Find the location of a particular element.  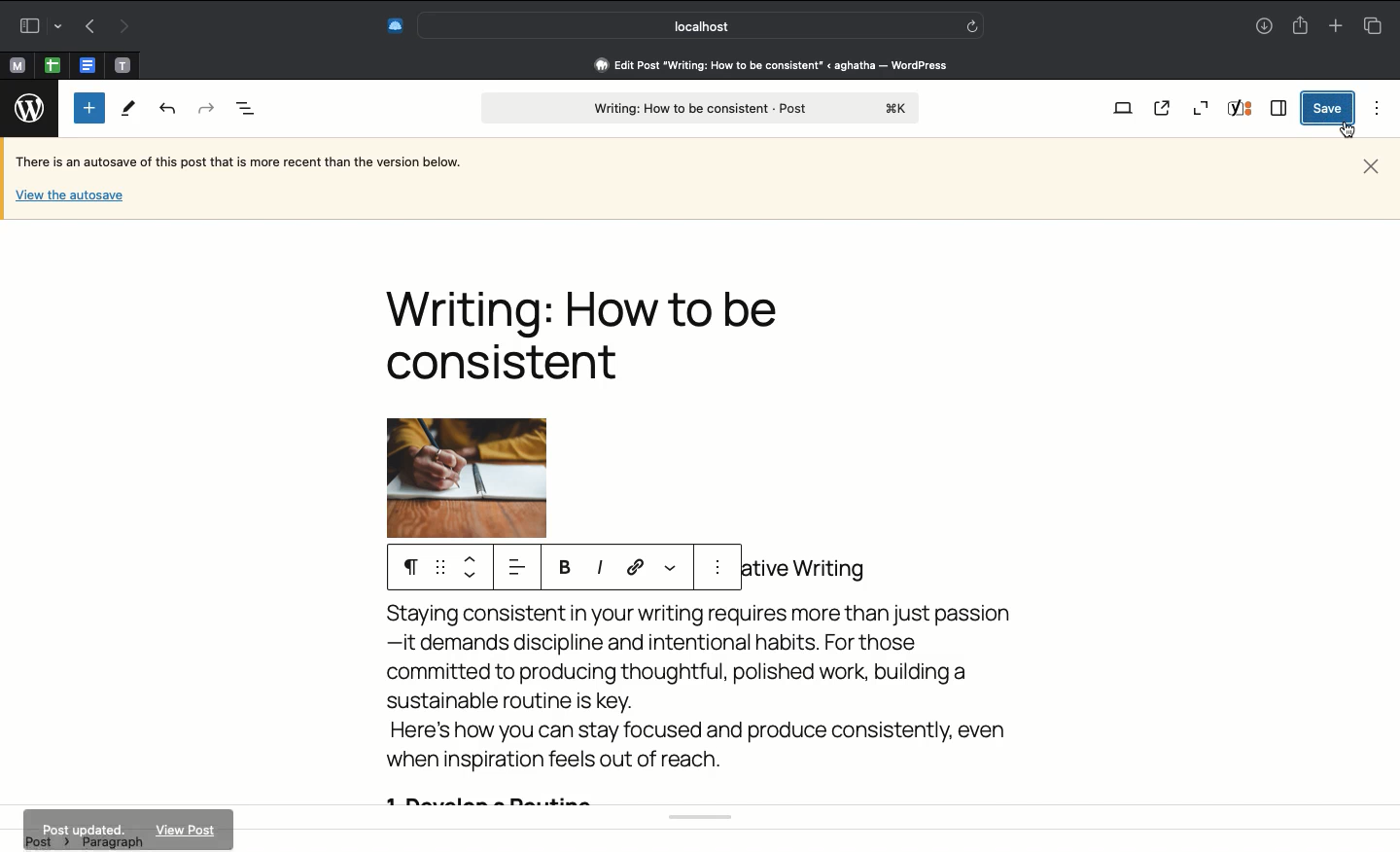

Post is located at coordinates (699, 109).